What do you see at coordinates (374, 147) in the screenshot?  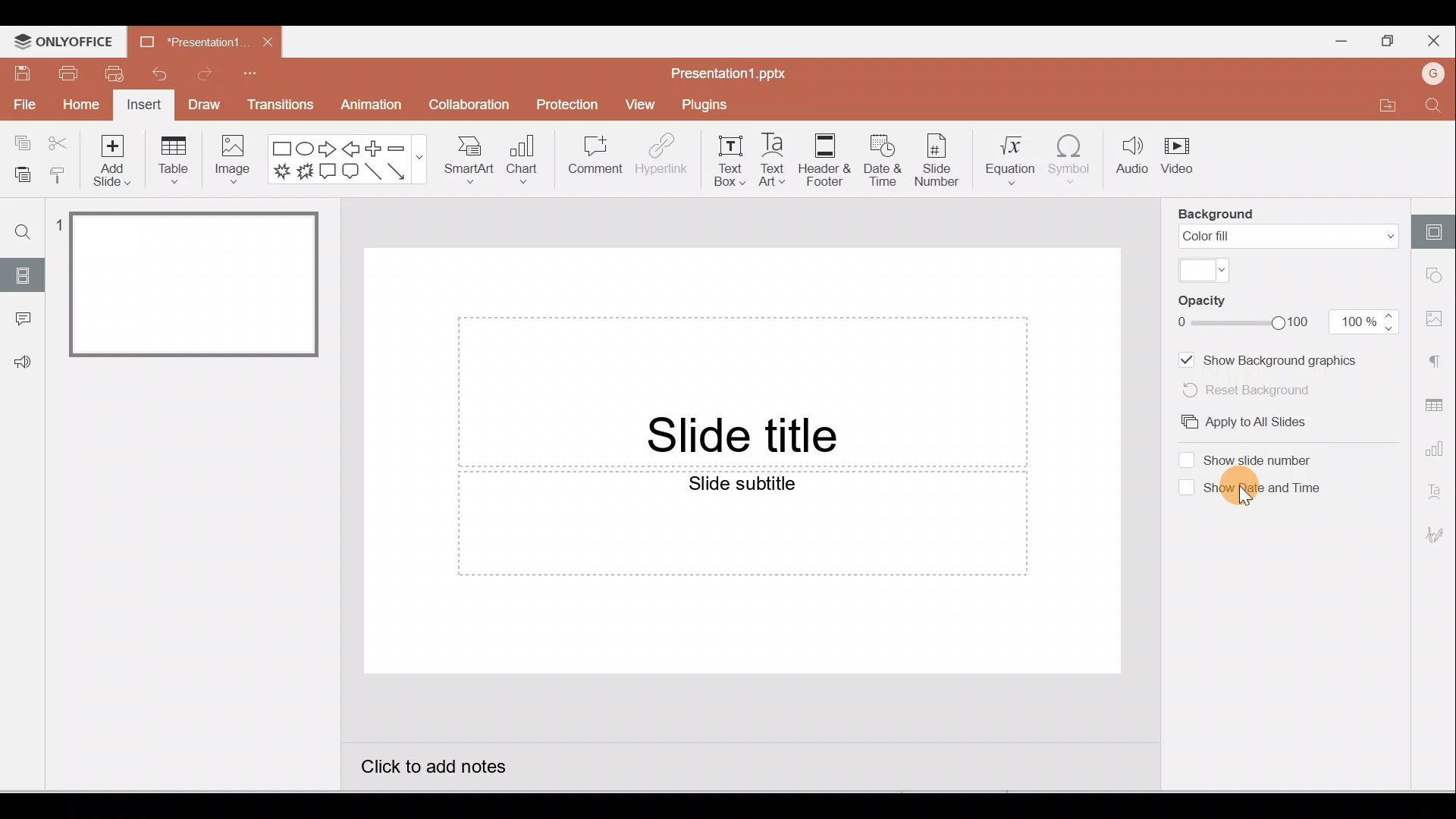 I see `Plus` at bounding box center [374, 147].